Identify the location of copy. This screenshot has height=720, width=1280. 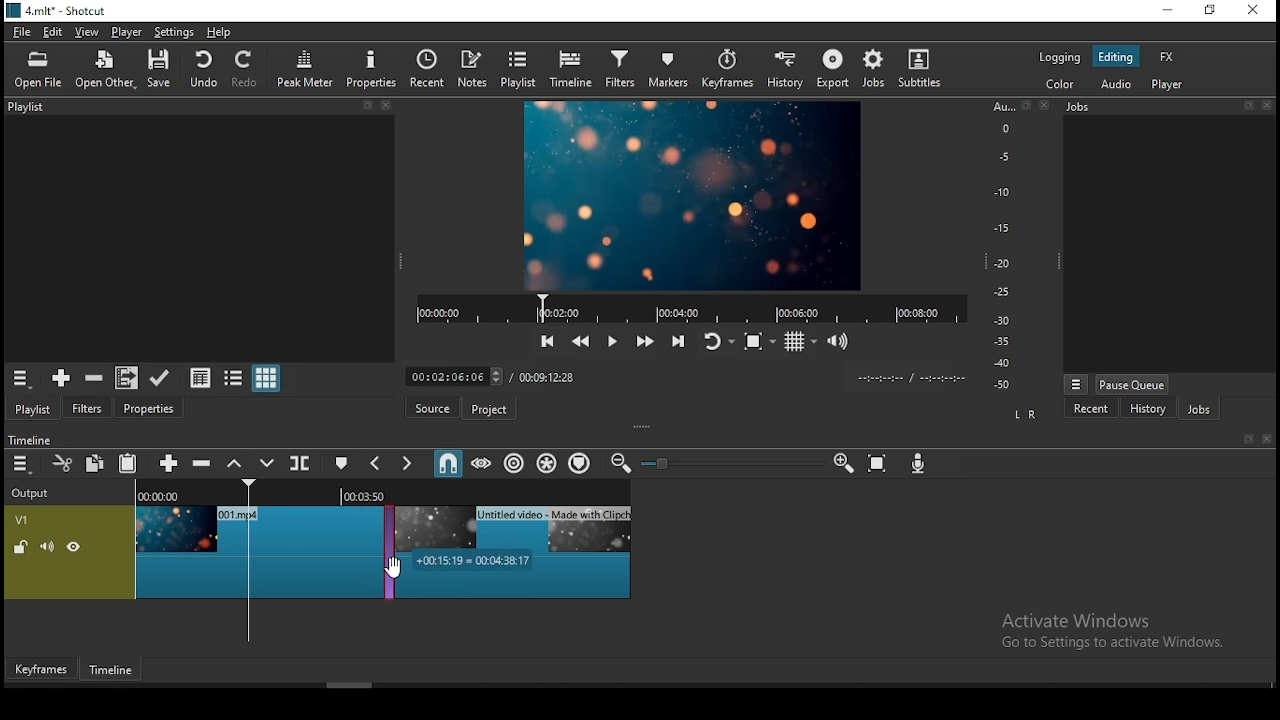
(95, 464).